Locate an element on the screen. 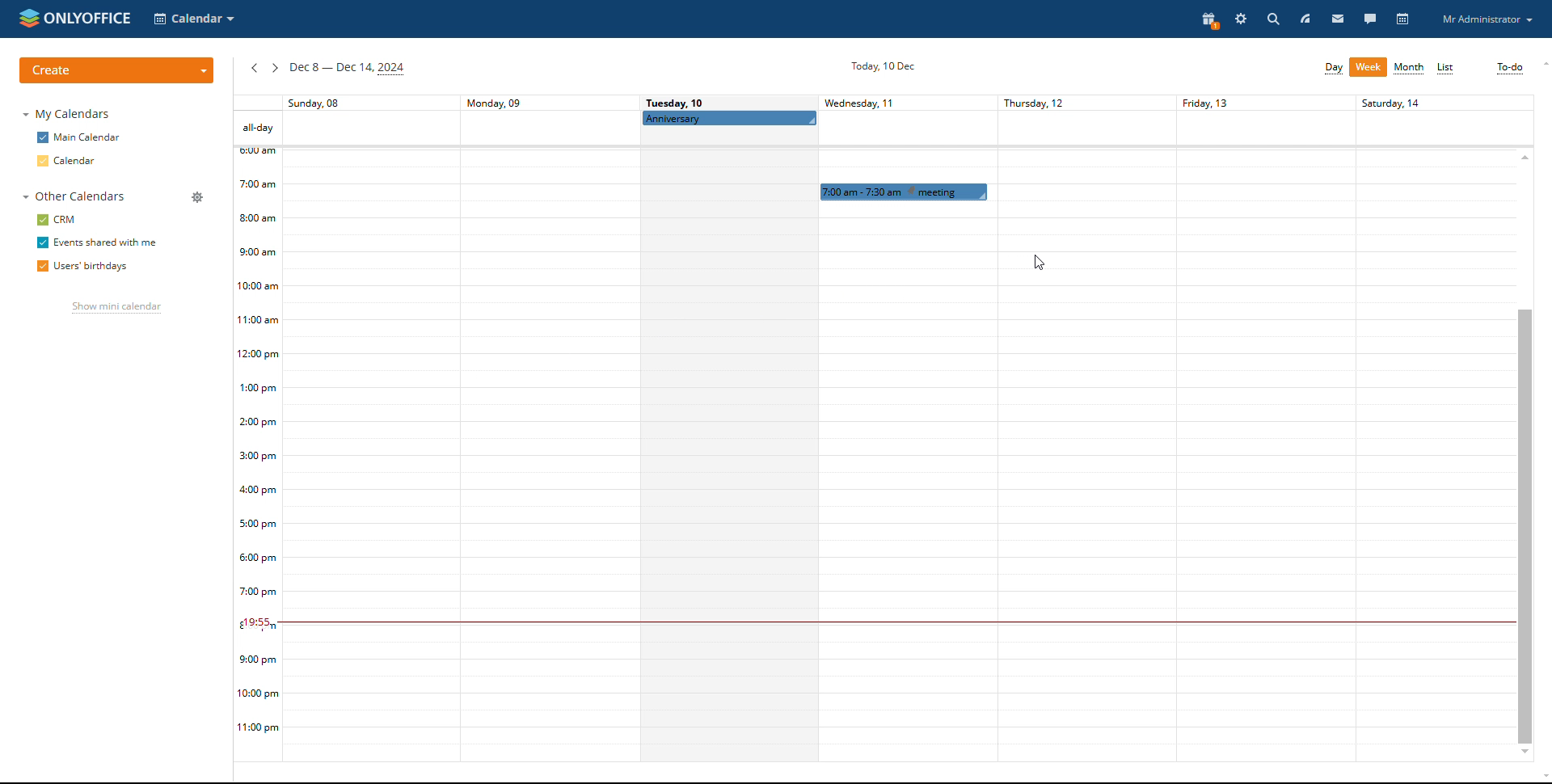 The image size is (1552, 784). search is located at coordinates (1272, 19).